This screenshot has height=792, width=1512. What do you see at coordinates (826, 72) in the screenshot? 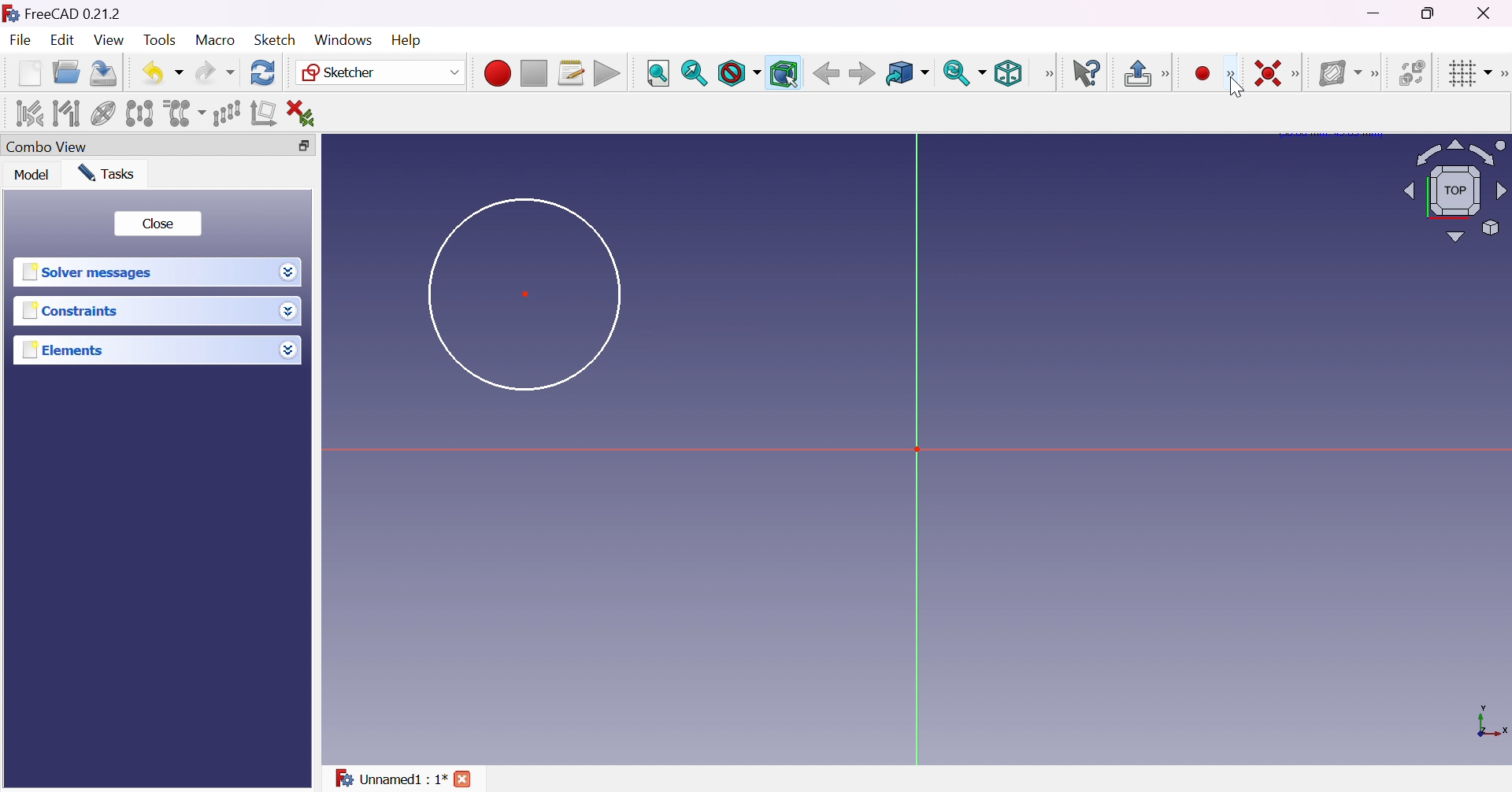
I see `Back` at bounding box center [826, 72].